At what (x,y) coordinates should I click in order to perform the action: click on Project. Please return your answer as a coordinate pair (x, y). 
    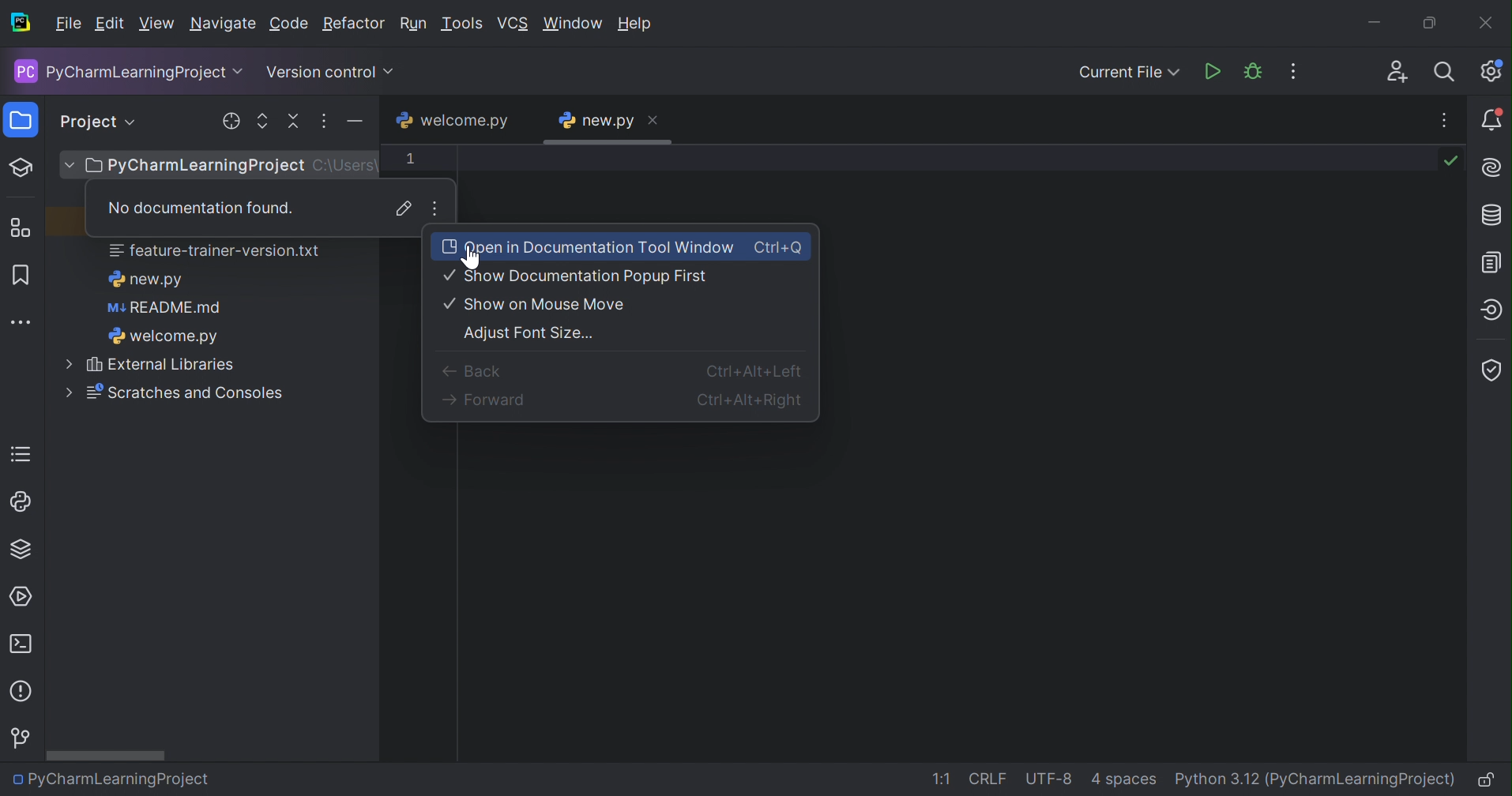
    Looking at the image, I should click on (88, 119).